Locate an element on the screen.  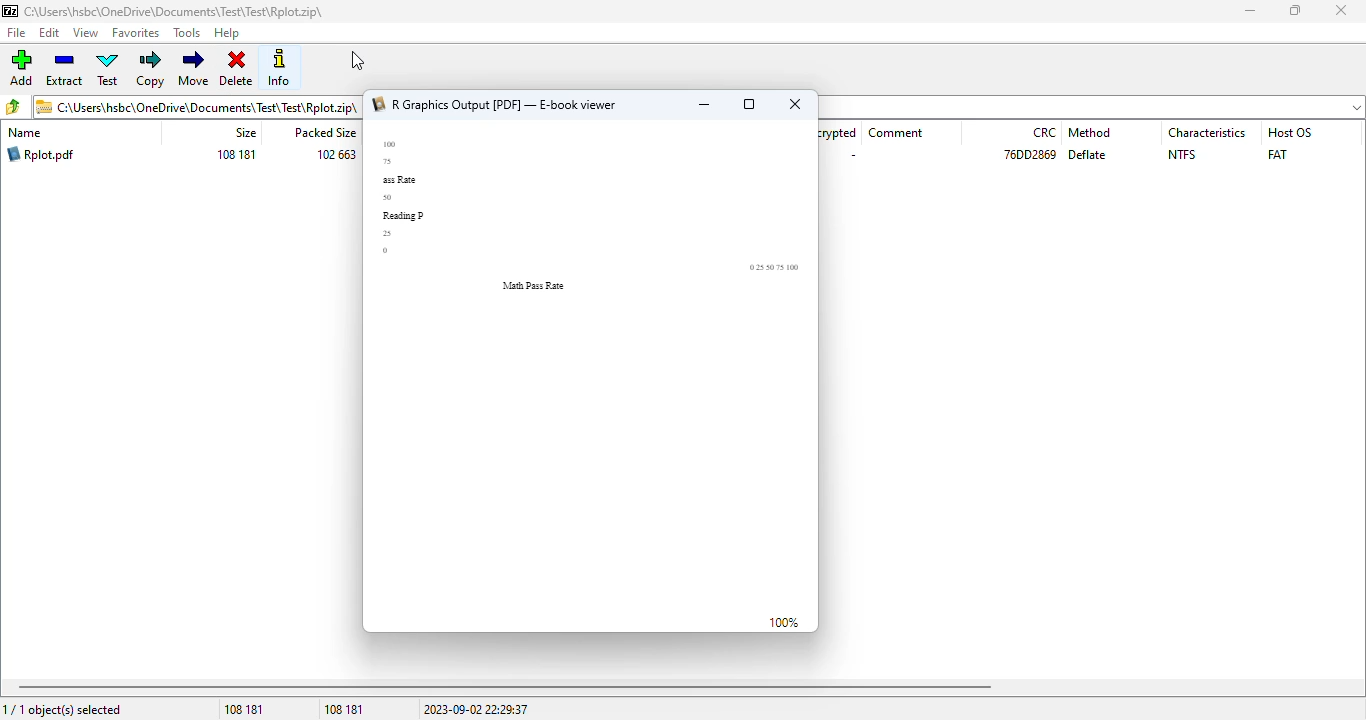
view is located at coordinates (85, 33).